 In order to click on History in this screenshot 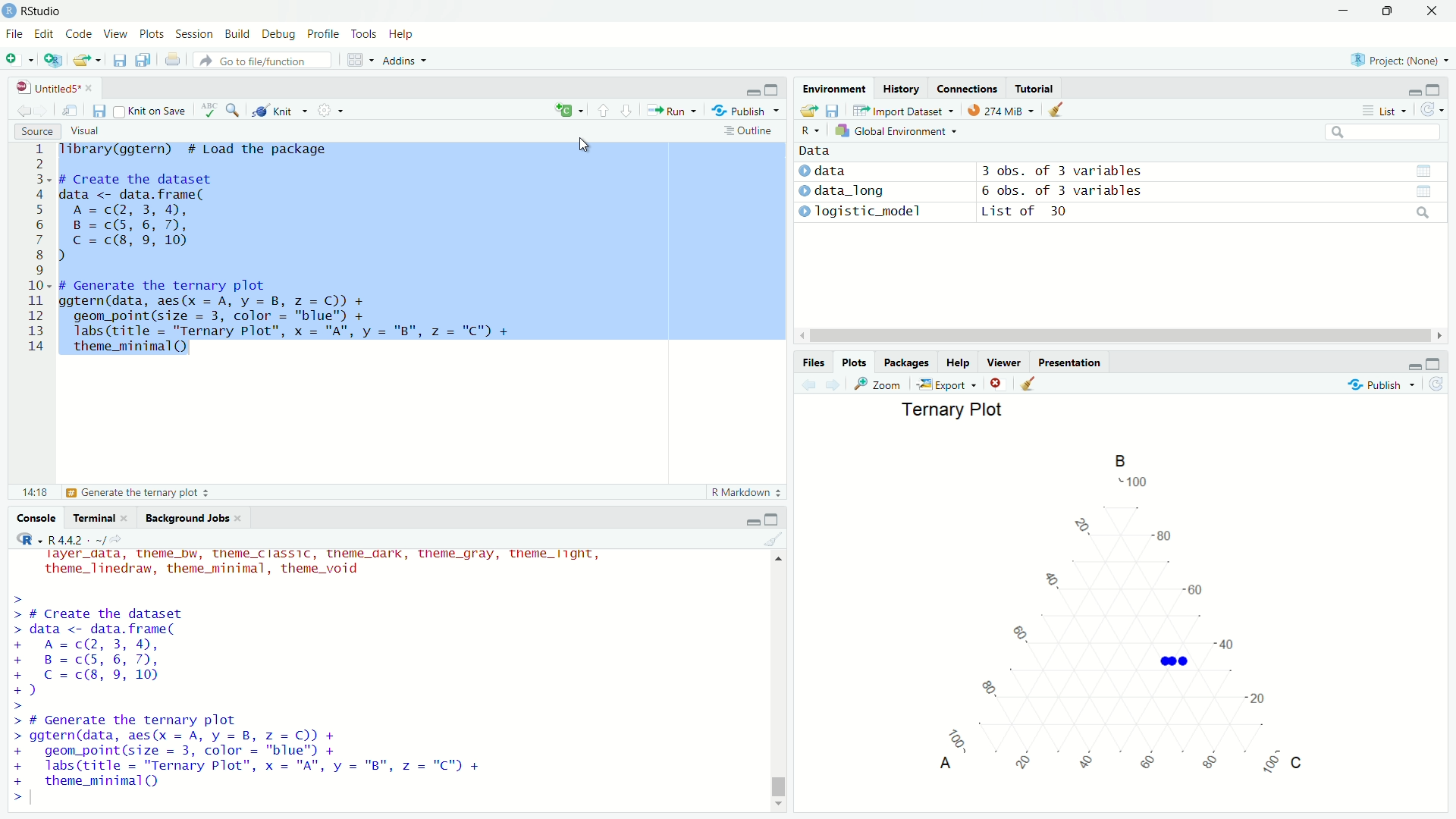, I will do `click(900, 89)`.